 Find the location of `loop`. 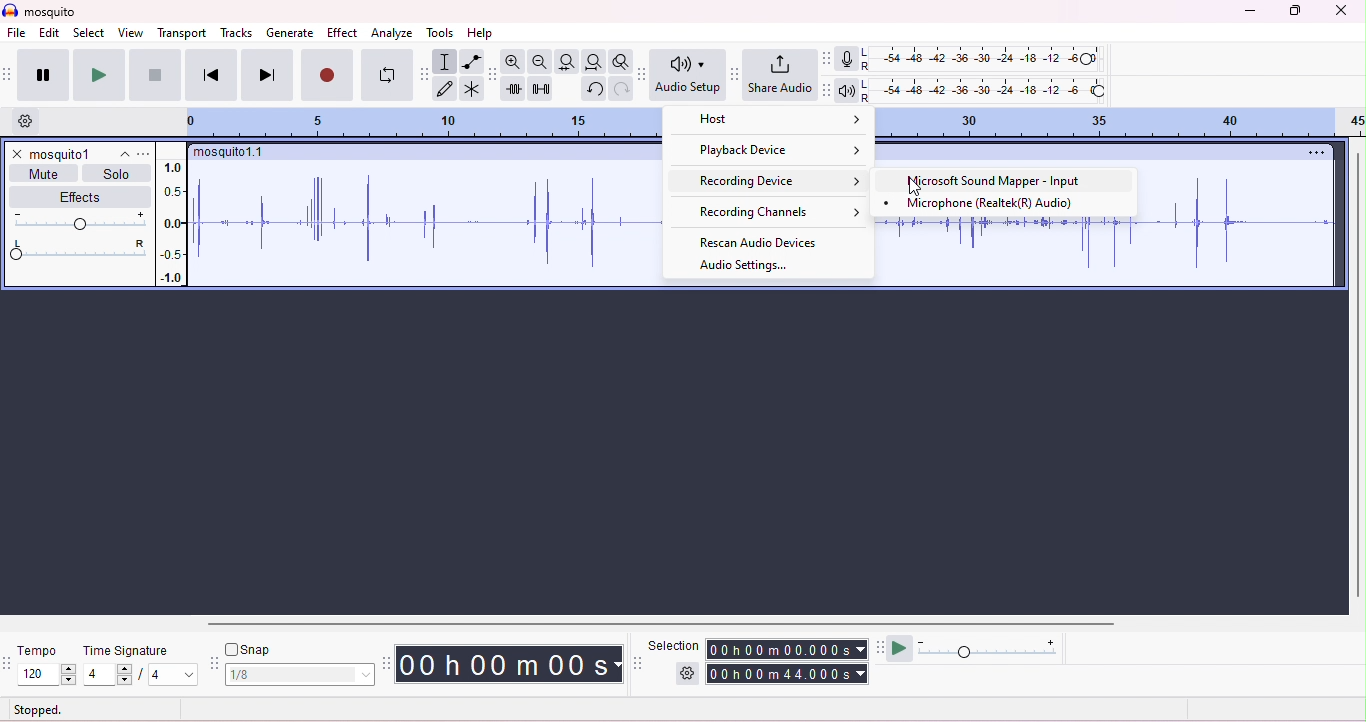

loop is located at coordinates (386, 75).